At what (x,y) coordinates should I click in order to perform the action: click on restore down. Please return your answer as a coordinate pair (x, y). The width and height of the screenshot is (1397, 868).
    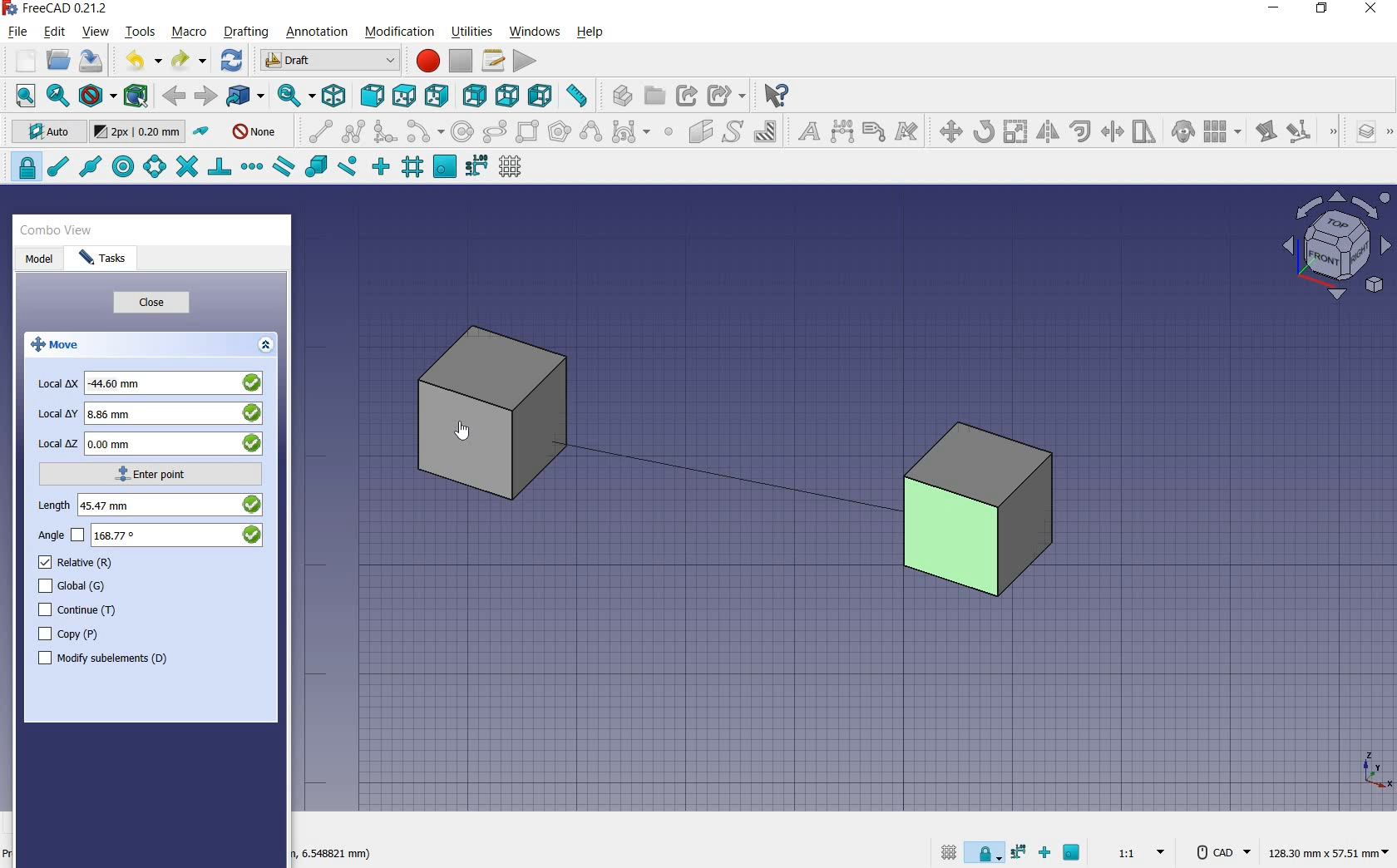
    Looking at the image, I should click on (1324, 10).